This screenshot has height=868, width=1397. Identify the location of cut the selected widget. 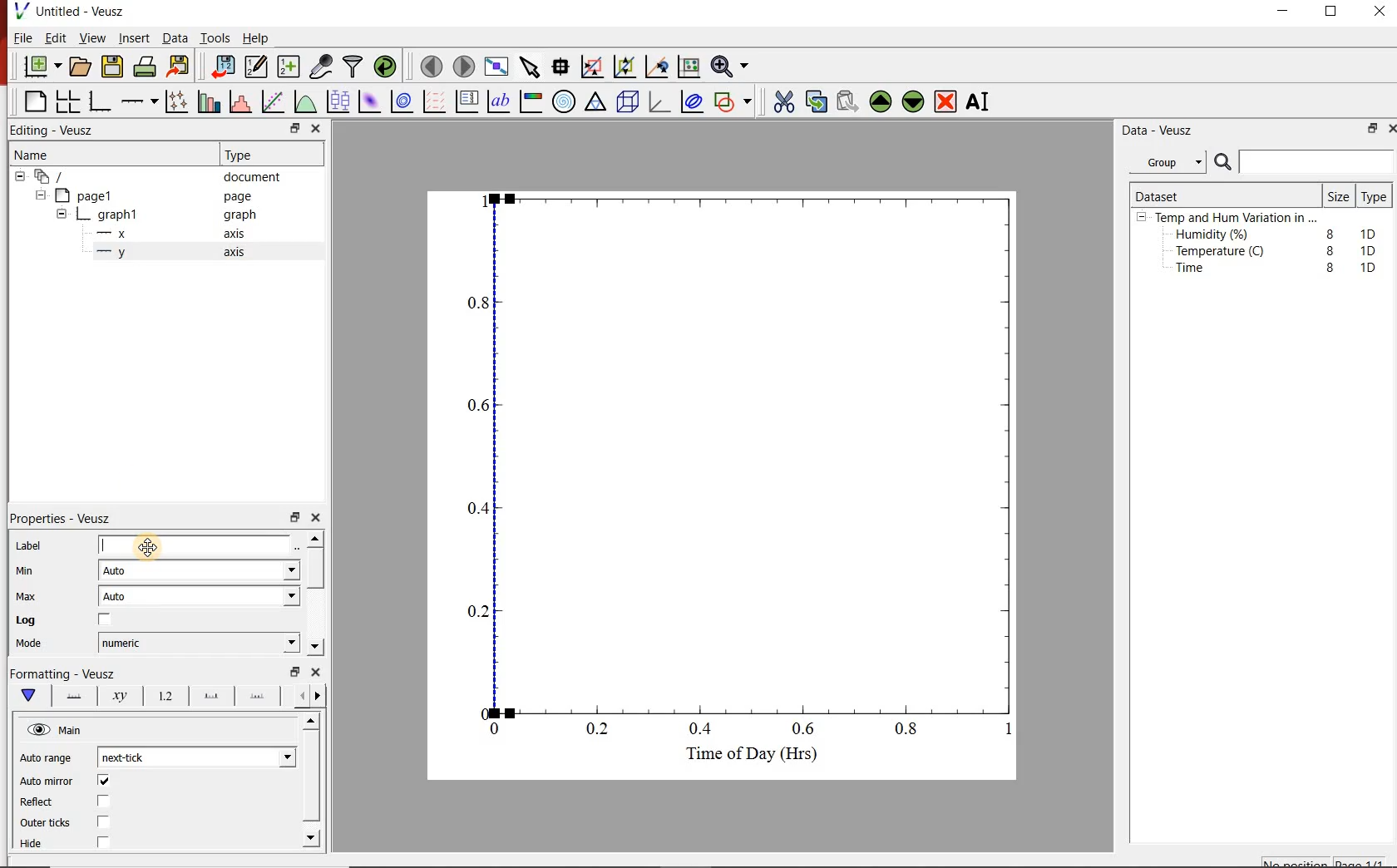
(782, 100).